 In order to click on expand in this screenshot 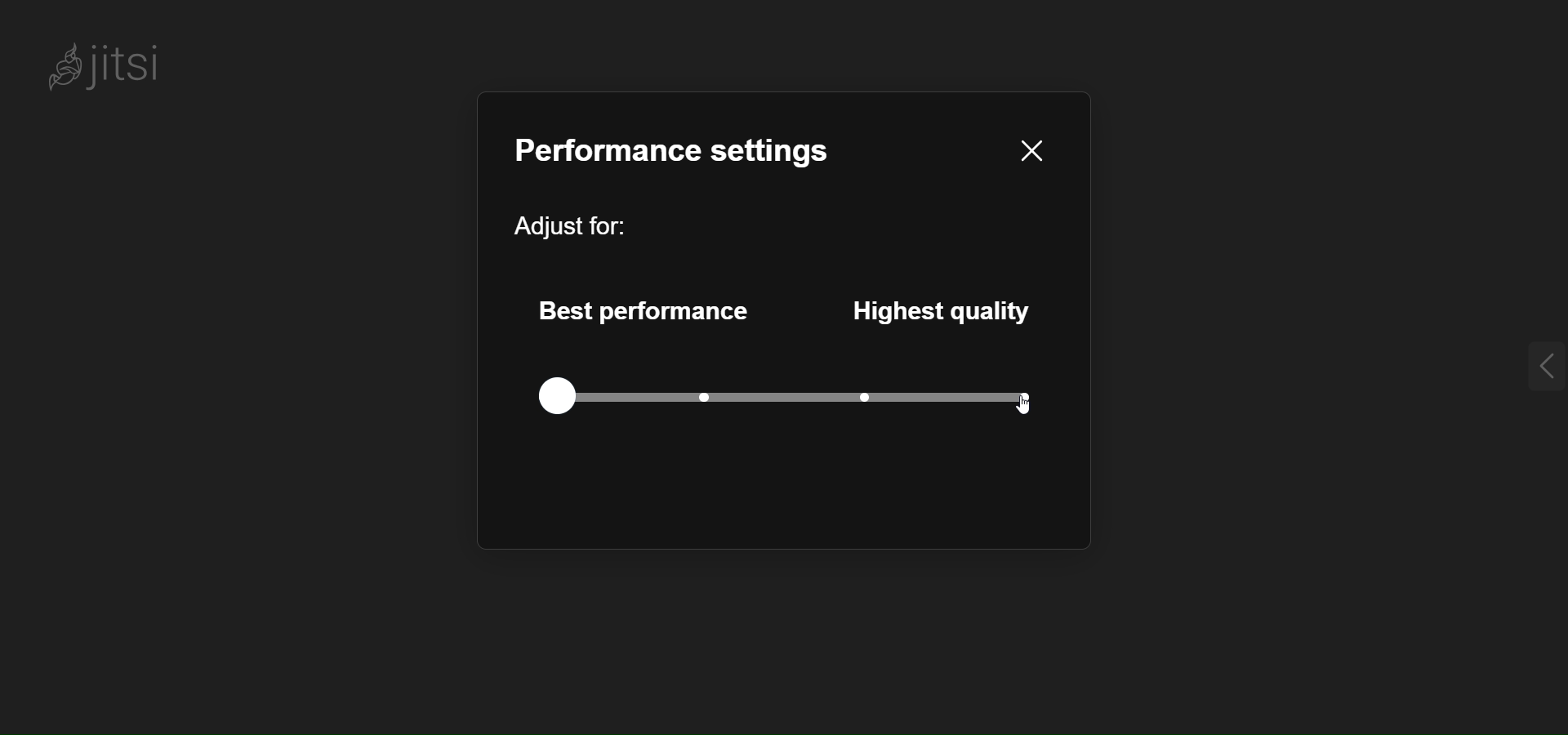, I will do `click(1542, 365)`.